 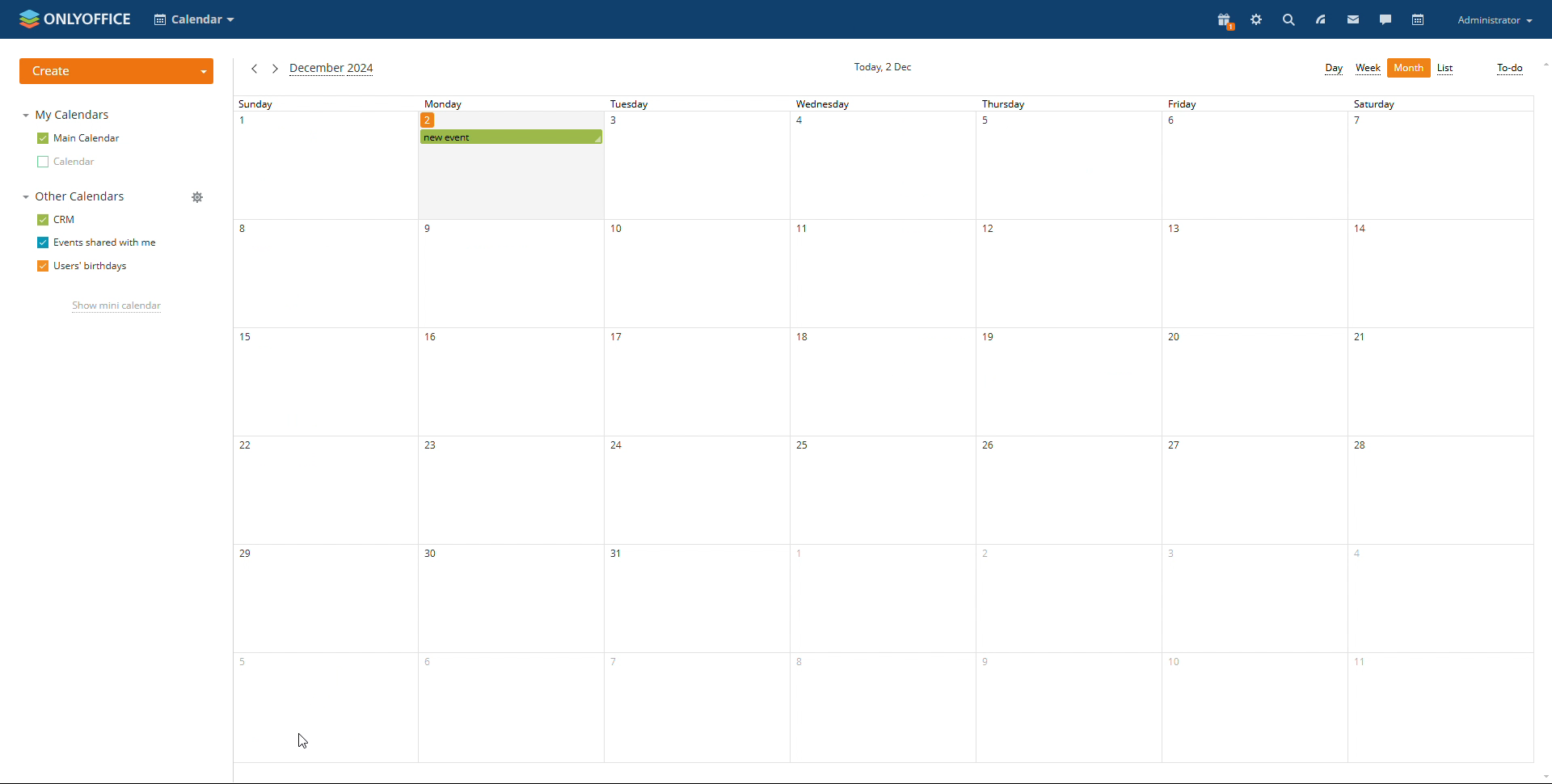 I want to click on saturday, so click(x=1440, y=429).